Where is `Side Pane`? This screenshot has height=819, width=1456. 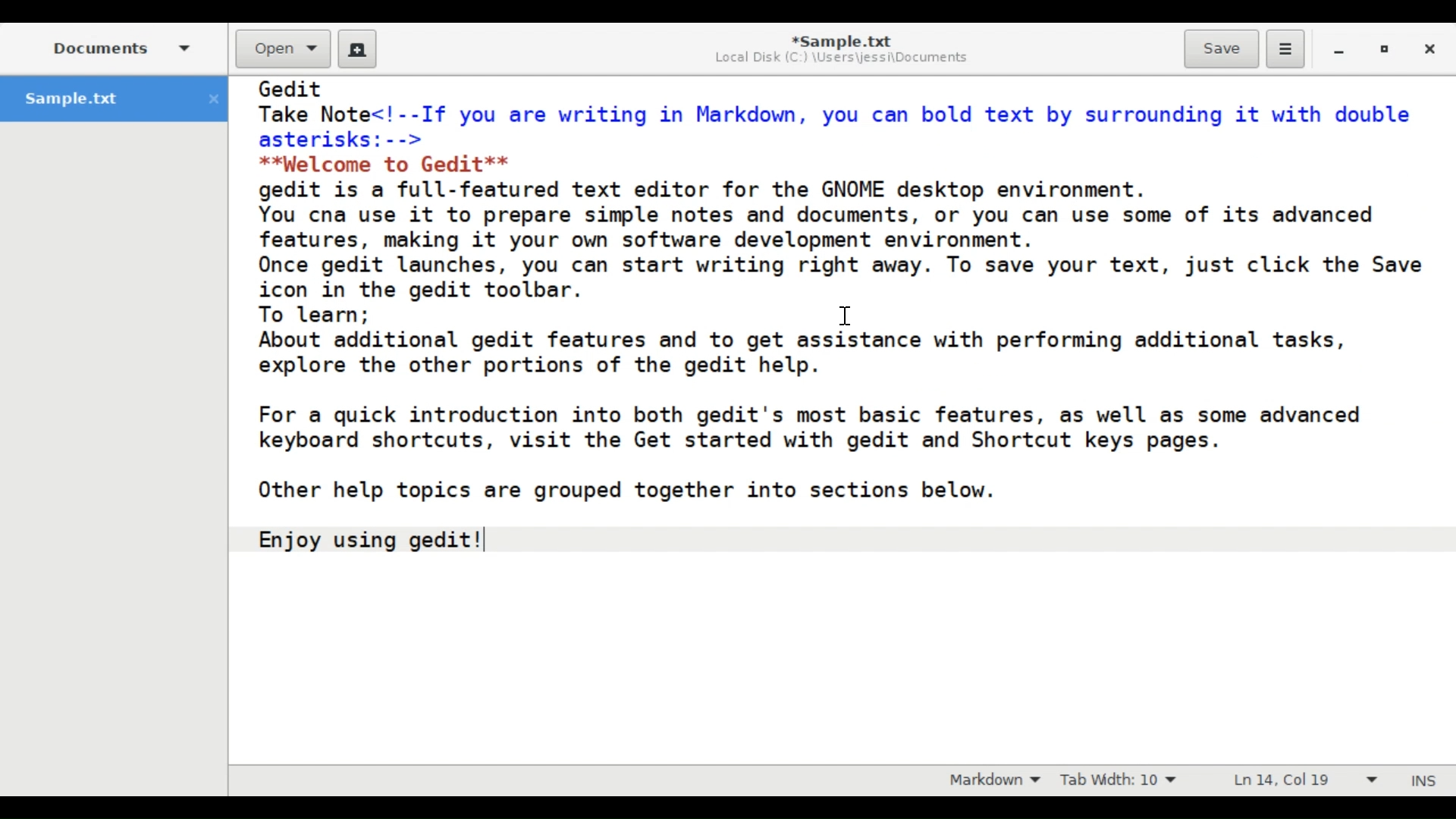
Side Pane is located at coordinates (121, 47).